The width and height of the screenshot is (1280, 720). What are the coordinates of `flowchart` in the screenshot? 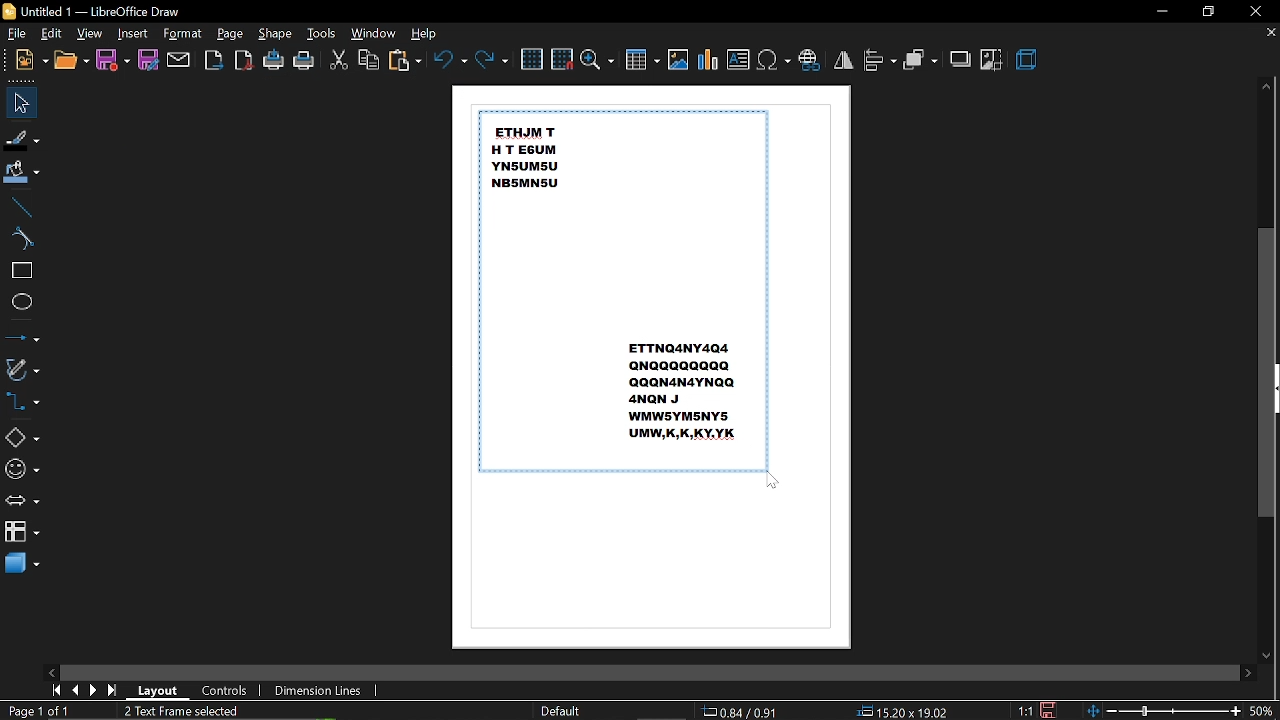 It's located at (21, 533).